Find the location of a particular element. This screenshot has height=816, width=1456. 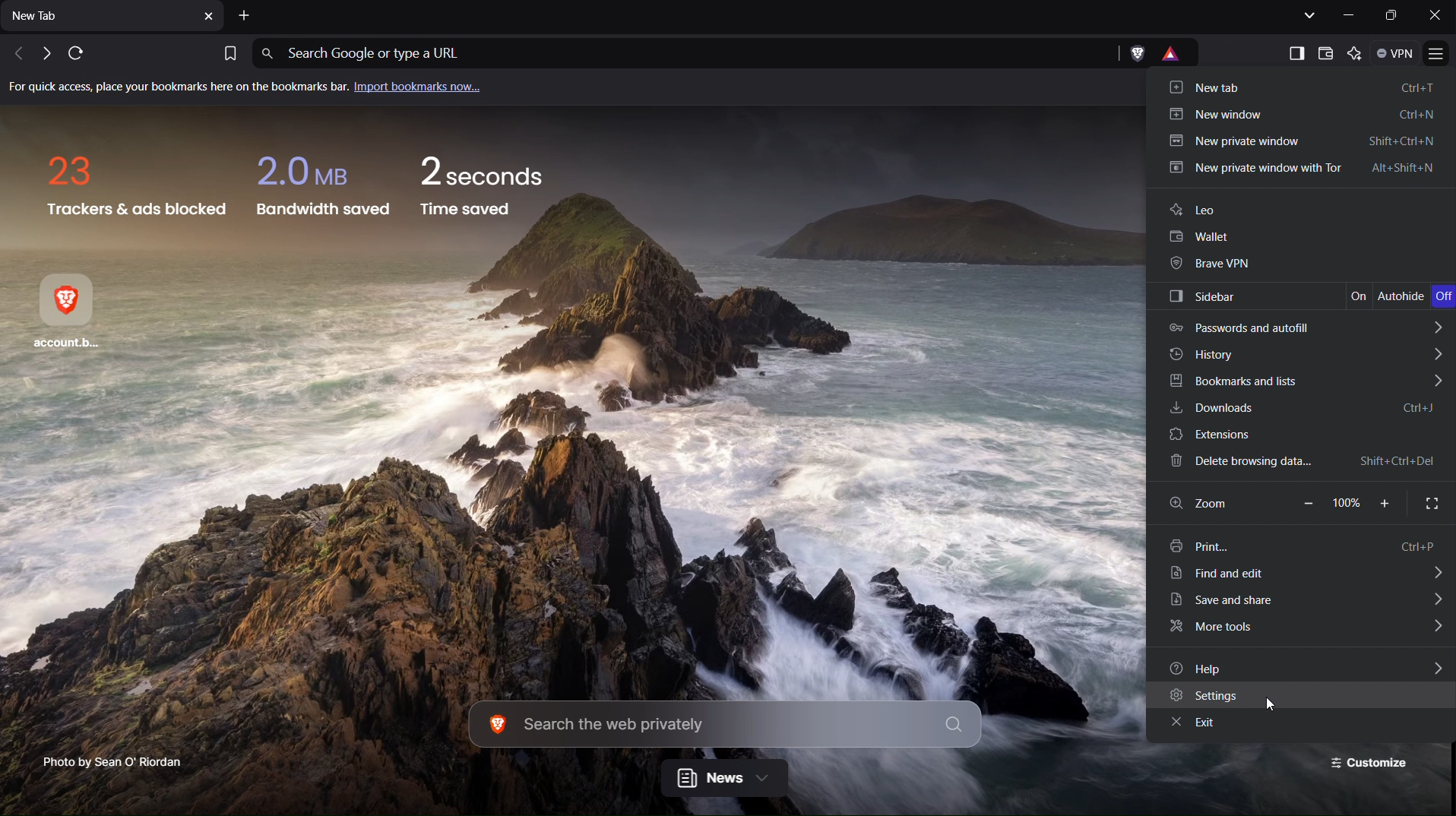

Settings is located at coordinates (1299, 697).